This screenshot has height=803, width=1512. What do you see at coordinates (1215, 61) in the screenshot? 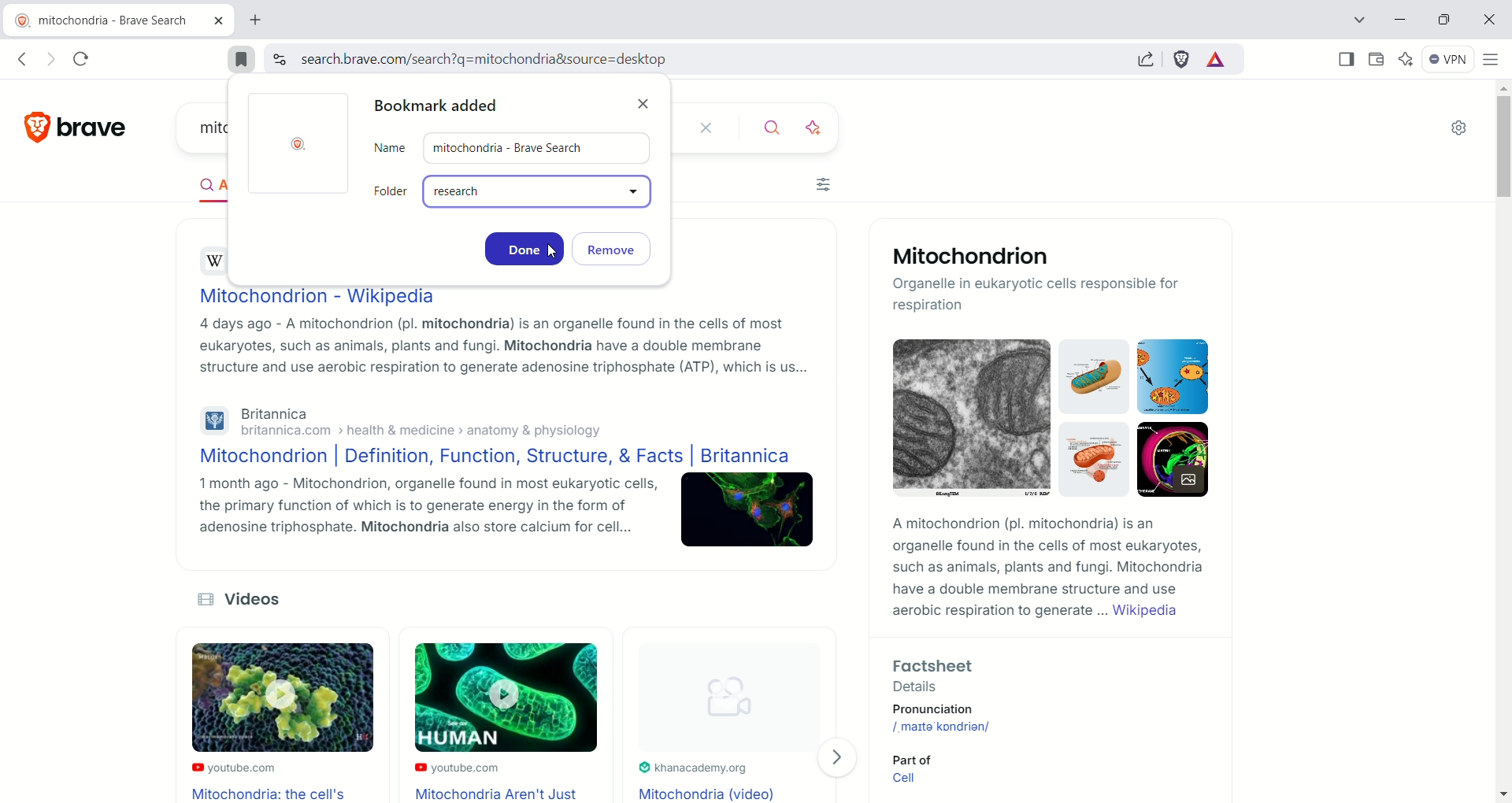
I see `rewards` at bounding box center [1215, 61].